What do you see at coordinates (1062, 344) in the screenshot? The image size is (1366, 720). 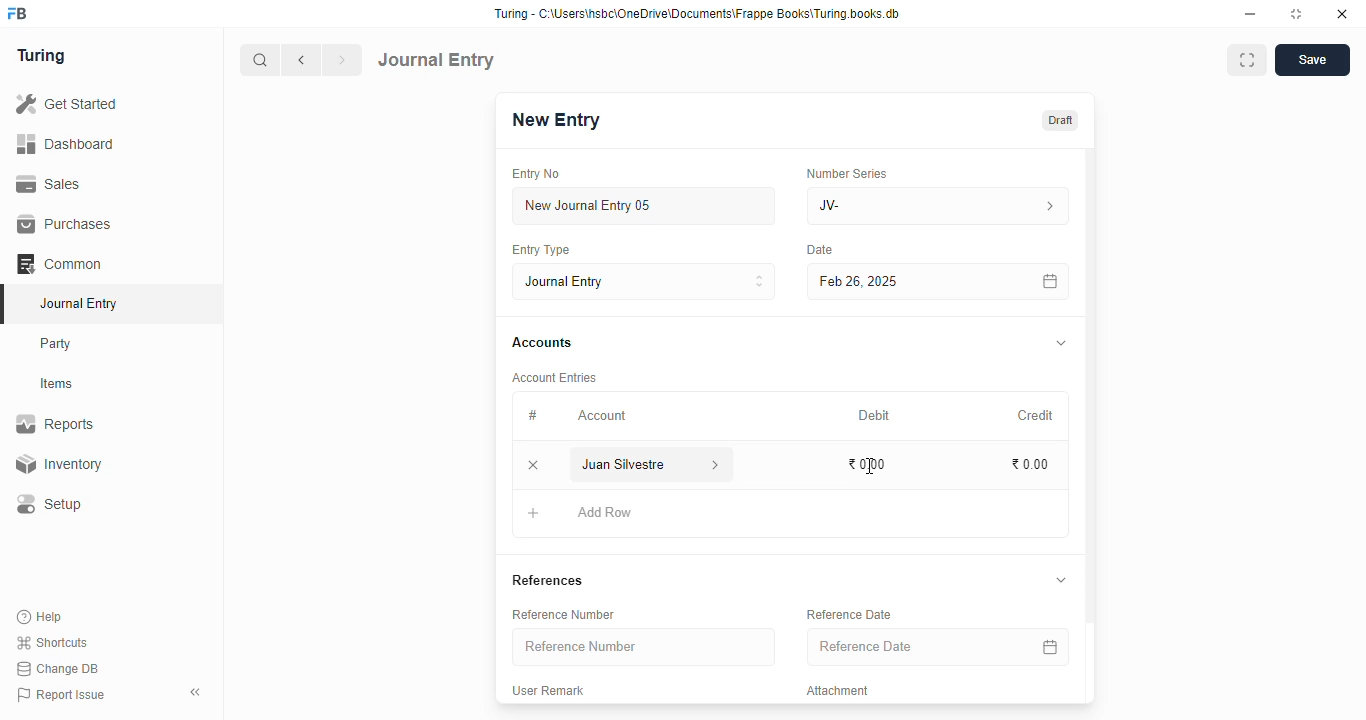 I see `toggle expand/collapse` at bounding box center [1062, 344].